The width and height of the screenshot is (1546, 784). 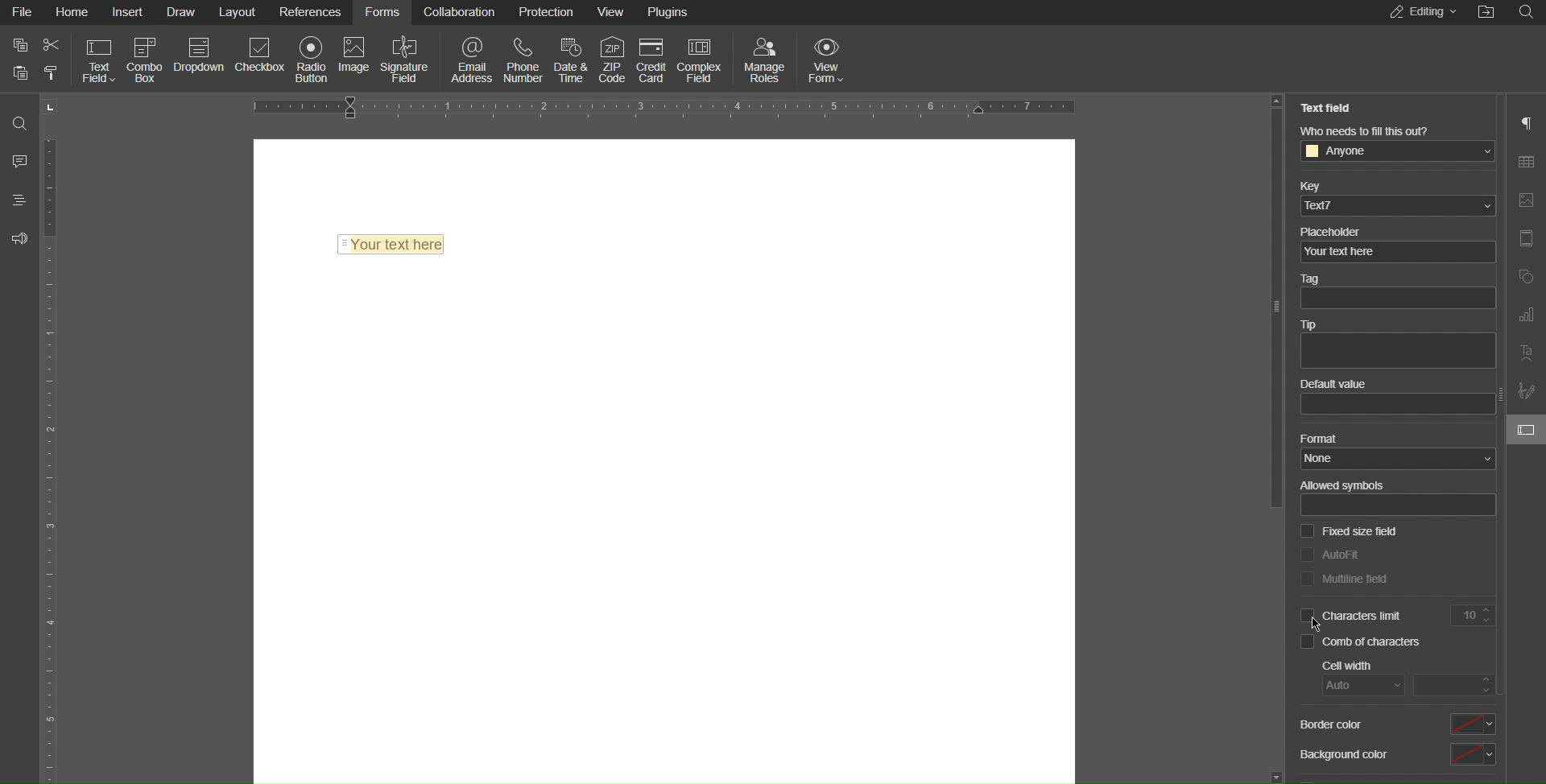 What do you see at coordinates (391, 241) in the screenshot?
I see `Text Field` at bounding box center [391, 241].